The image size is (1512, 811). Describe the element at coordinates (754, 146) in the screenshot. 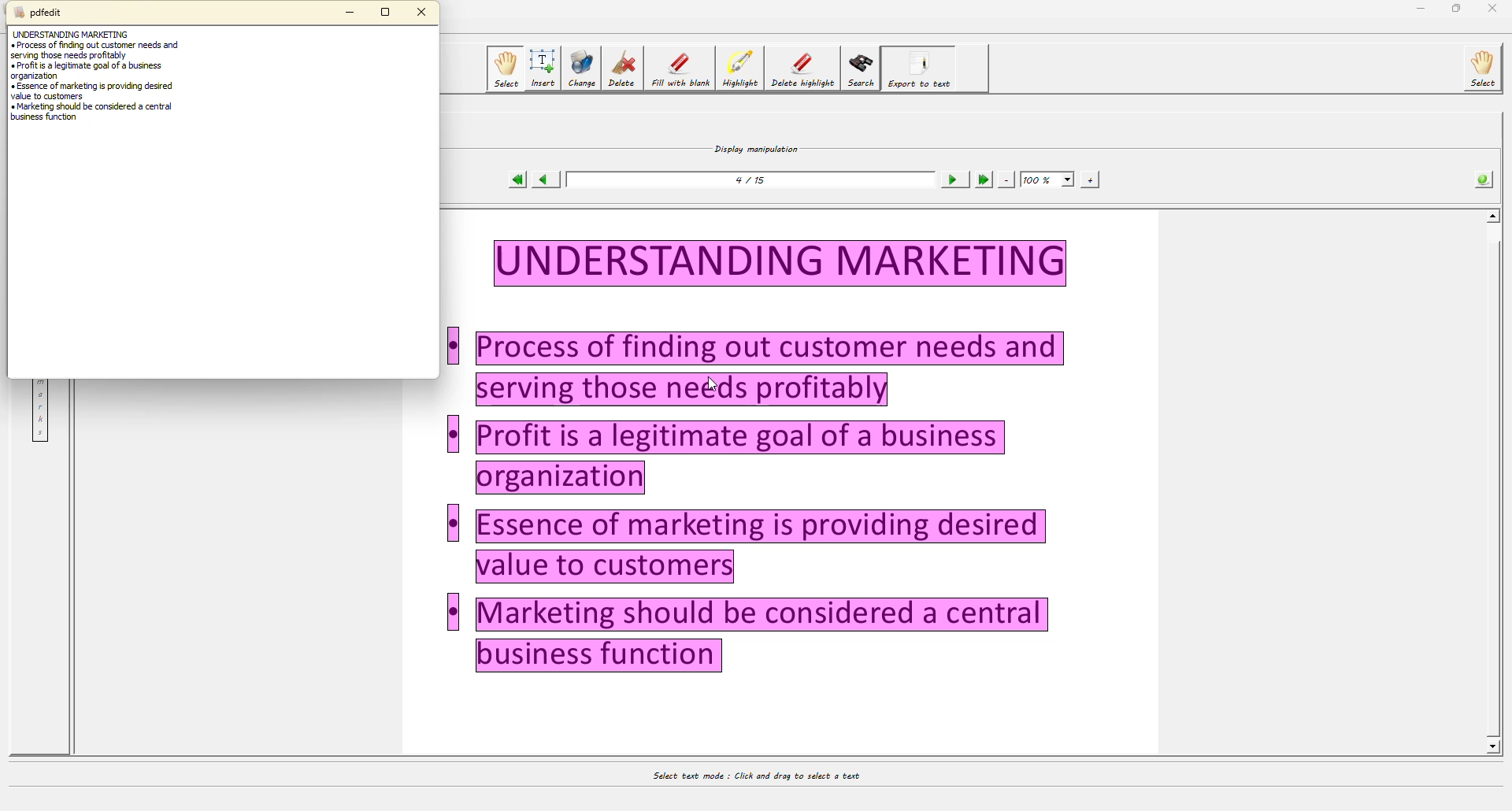

I see `display manipulation` at that location.